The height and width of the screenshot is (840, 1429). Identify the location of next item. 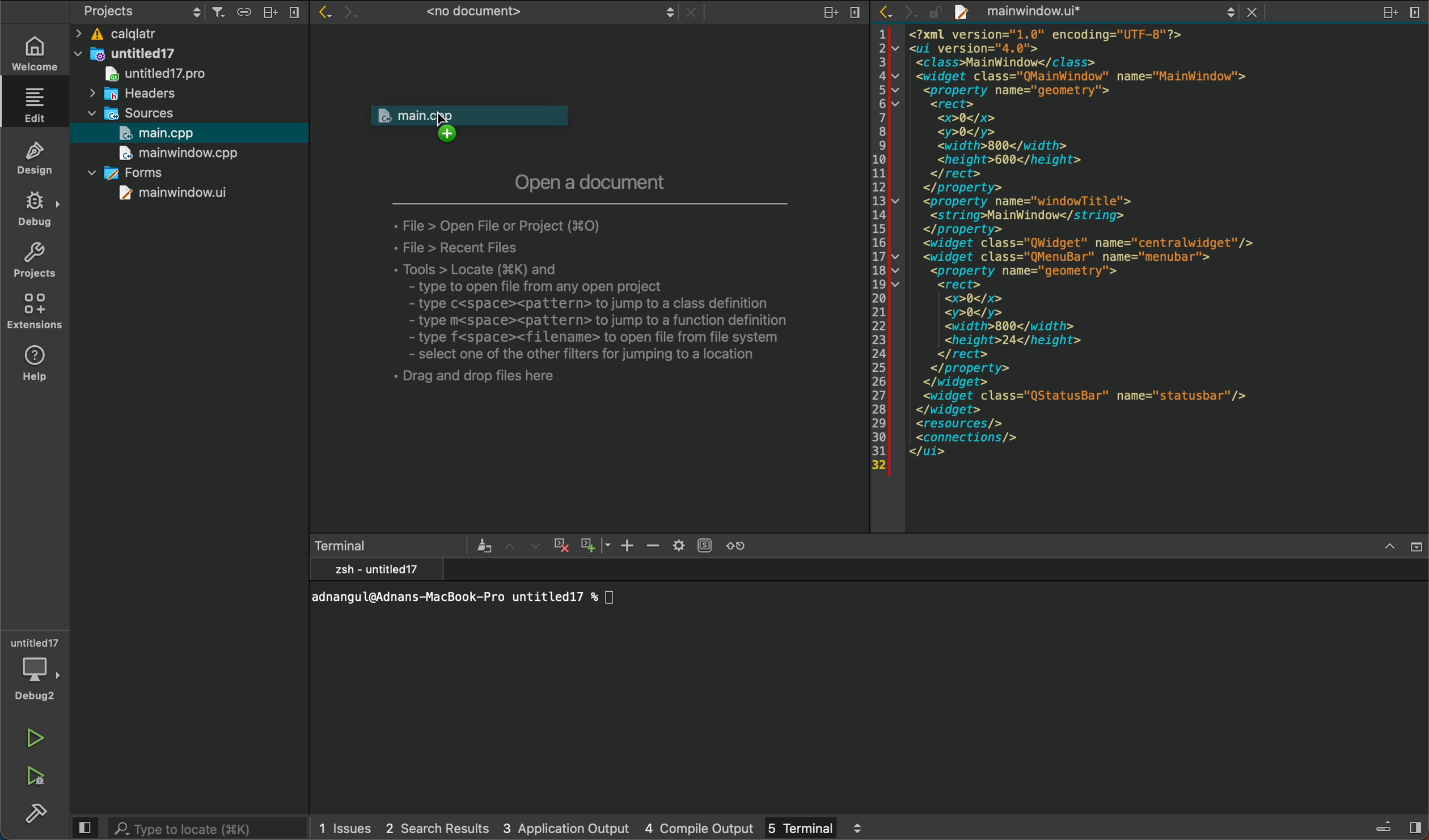
(534, 545).